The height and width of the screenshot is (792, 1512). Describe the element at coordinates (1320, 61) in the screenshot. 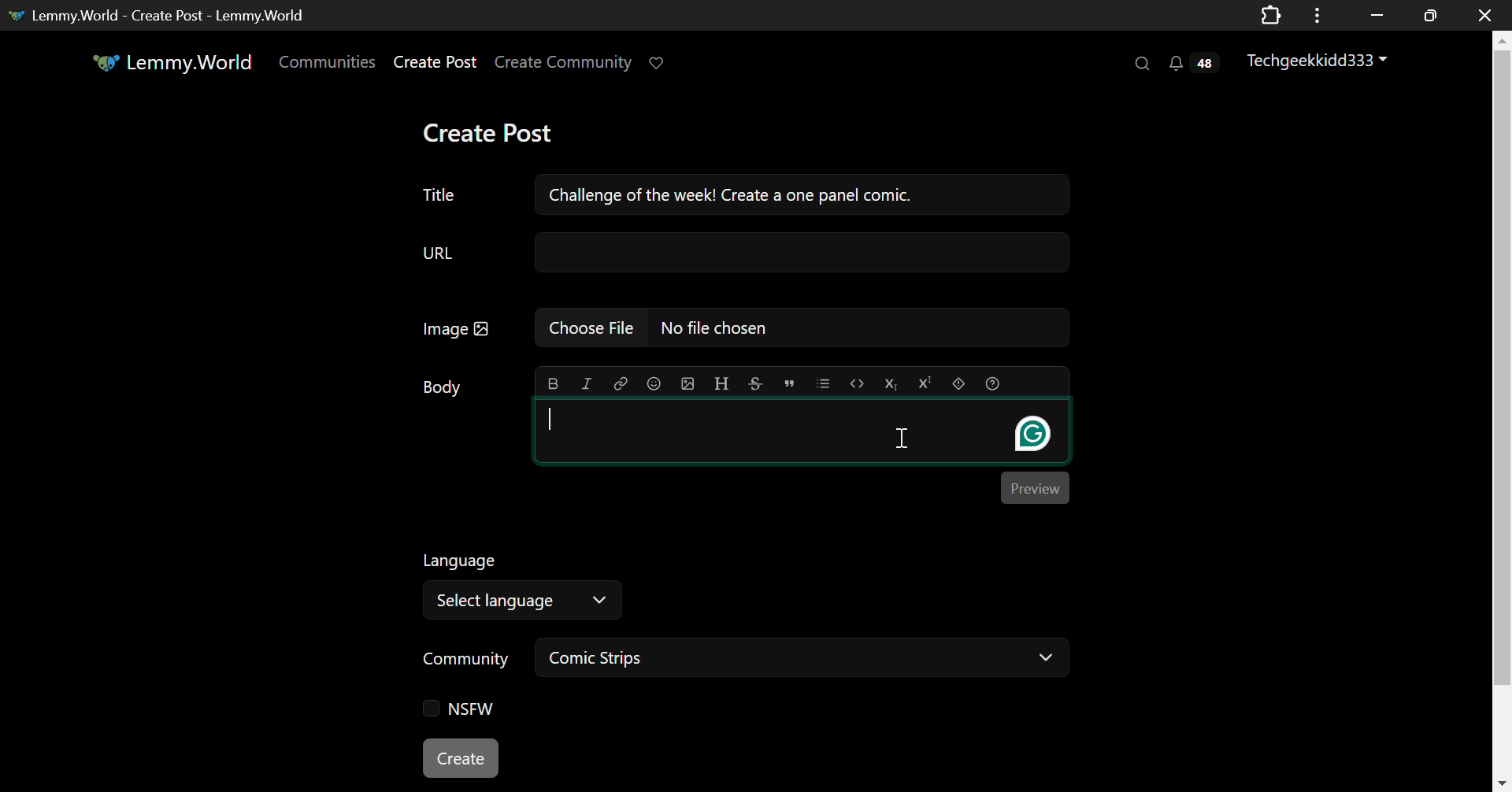

I see `Techgeekkidd333` at that location.